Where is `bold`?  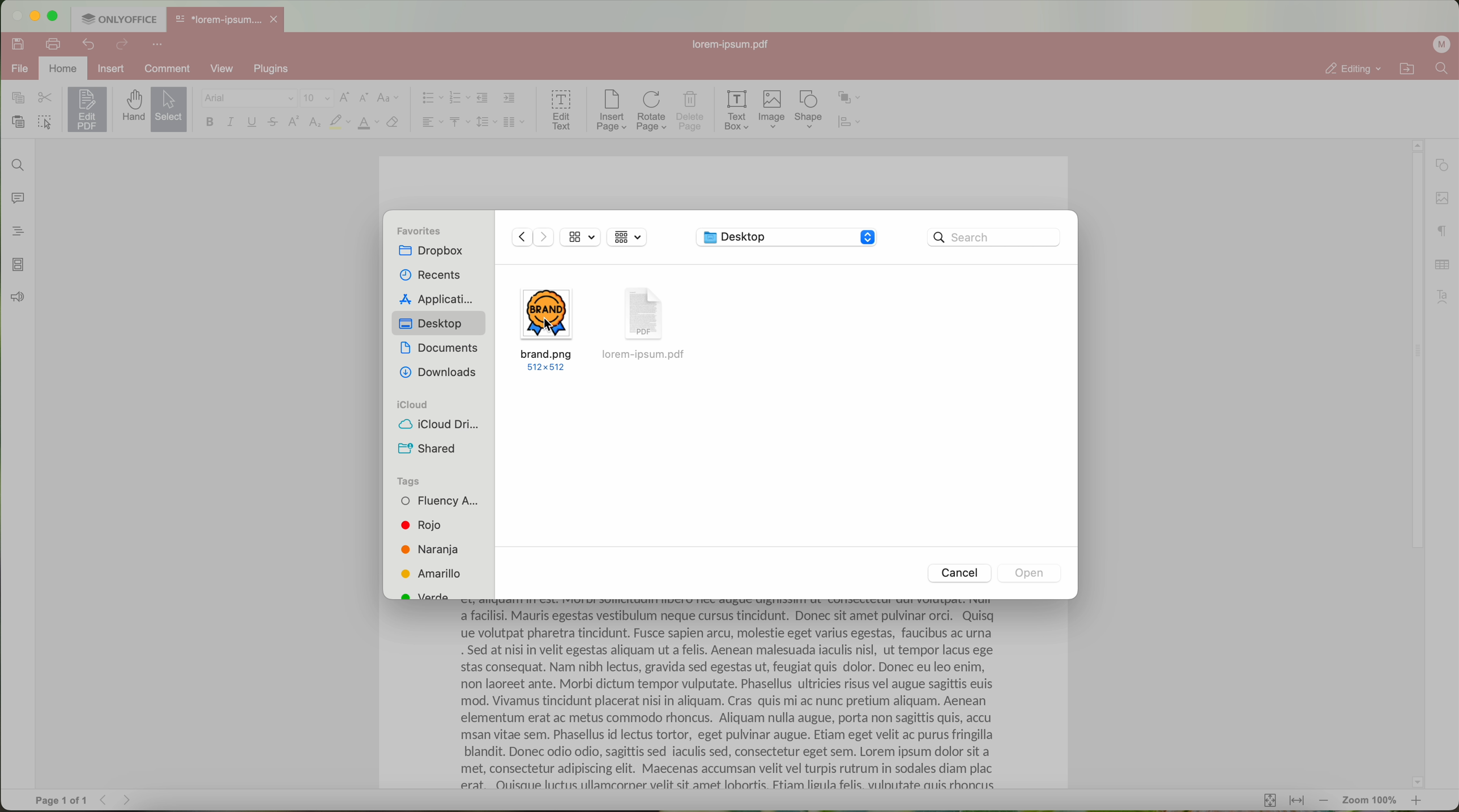
bold is located at coordinates (210, 122).